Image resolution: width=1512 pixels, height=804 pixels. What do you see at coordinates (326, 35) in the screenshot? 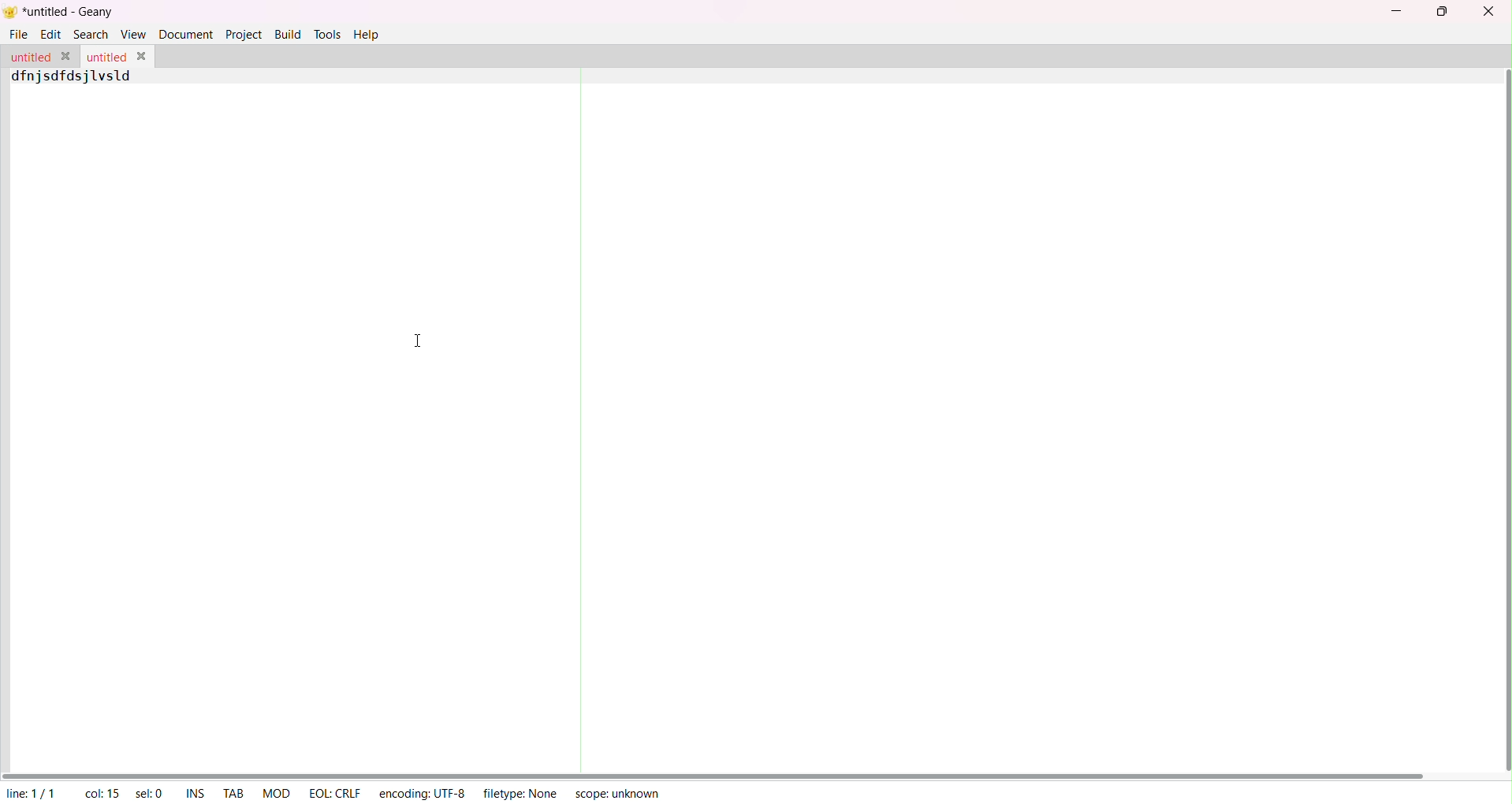
I see `tools` at bounding box center [326, 35].